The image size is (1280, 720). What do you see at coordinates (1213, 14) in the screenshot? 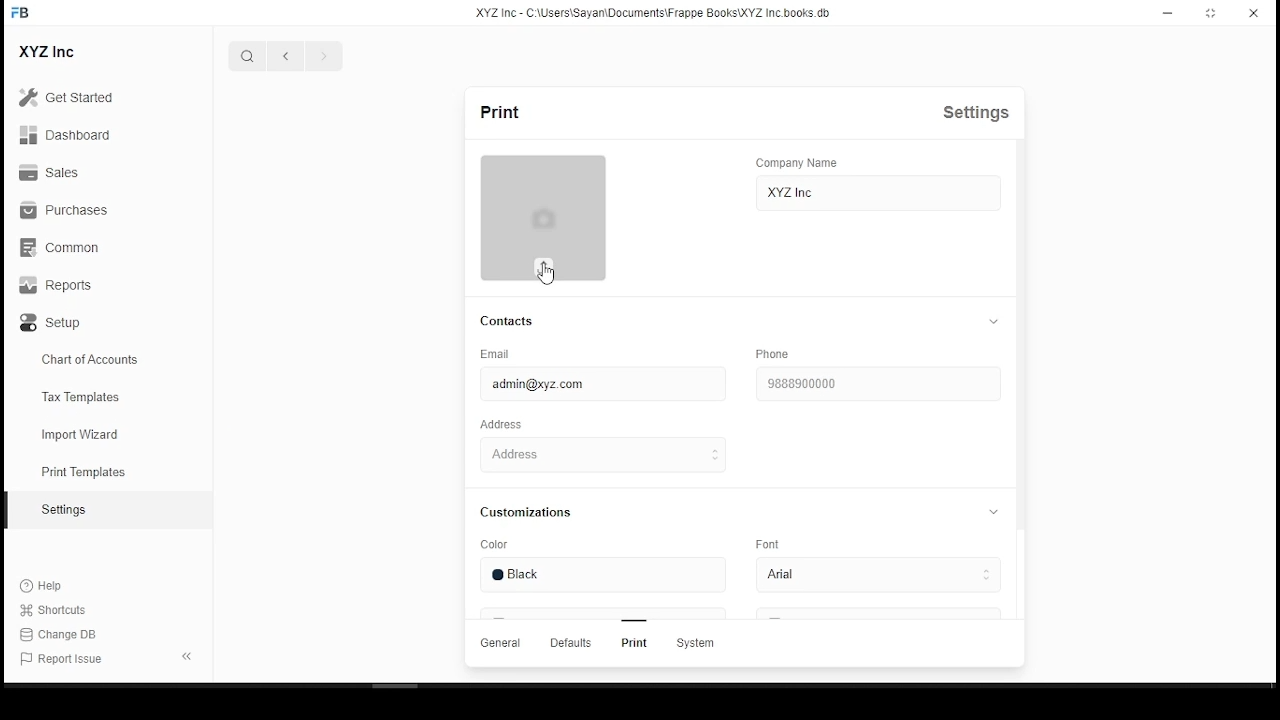
I see `Maximize` at bounding box center [1213, 14].